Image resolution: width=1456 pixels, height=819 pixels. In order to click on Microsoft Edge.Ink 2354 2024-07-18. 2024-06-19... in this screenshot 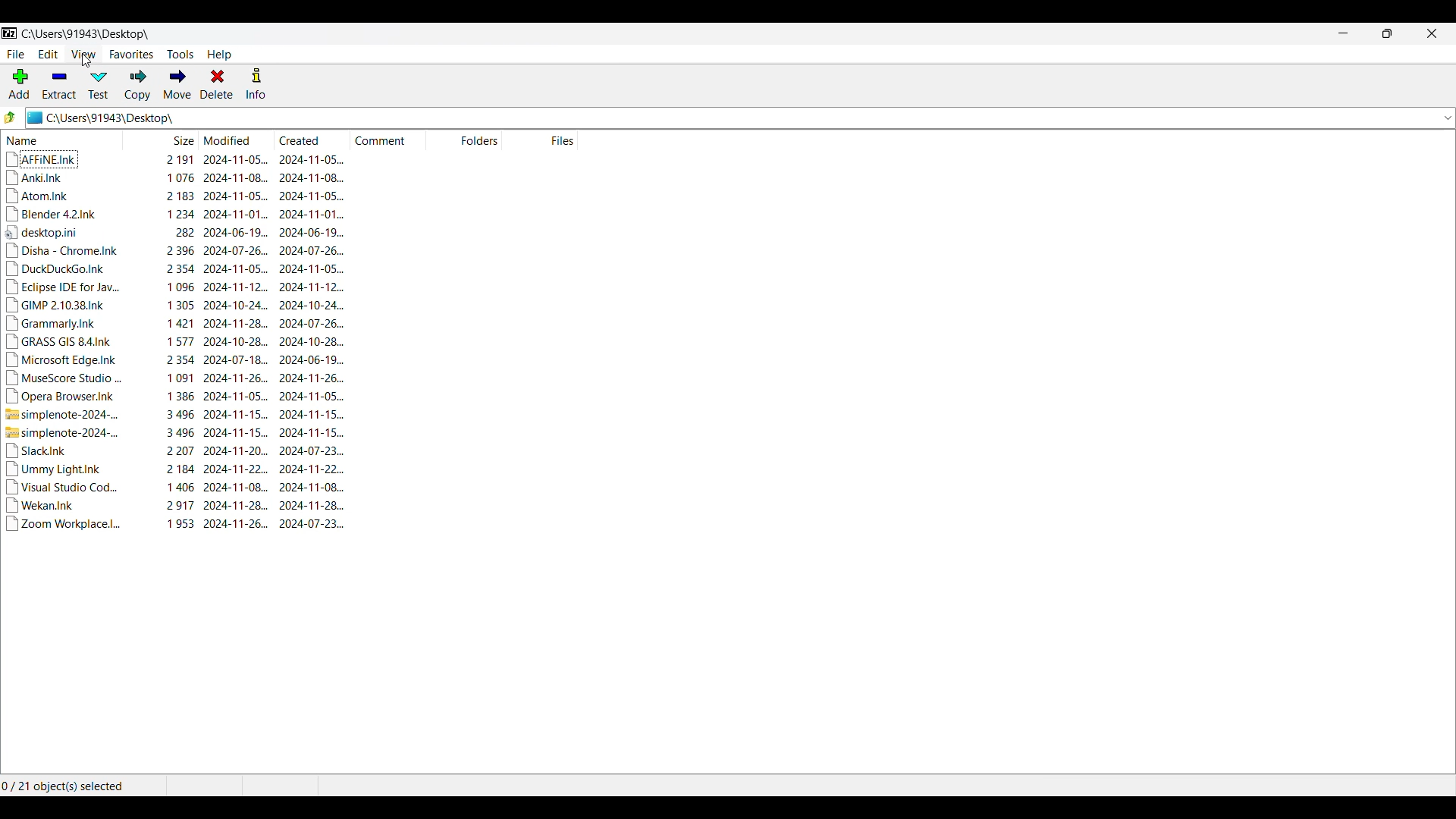, I will do `click(177, 360)`.